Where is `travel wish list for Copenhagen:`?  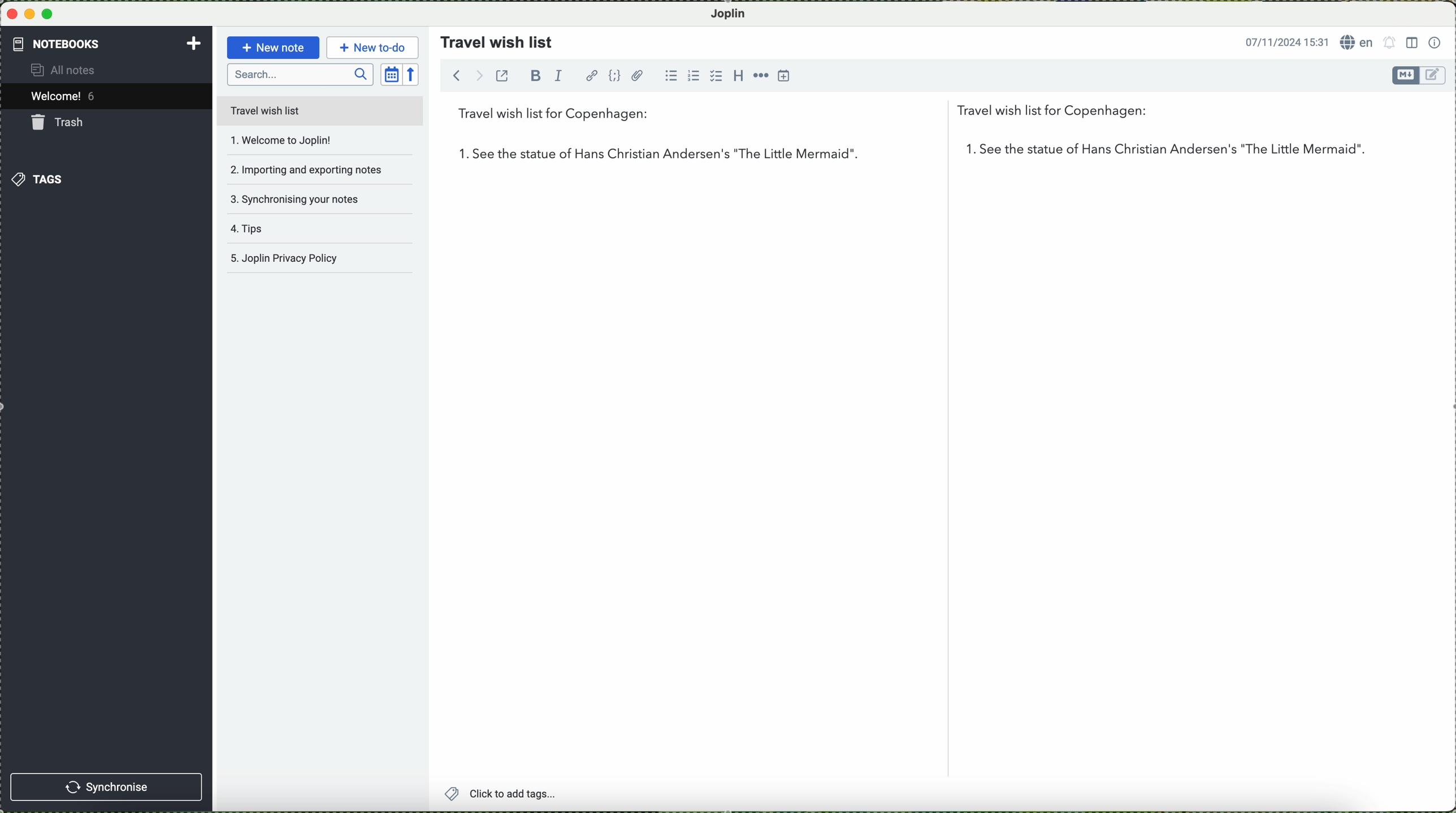
travel wish list for Copenhagen: is located at coordinates (809, 116).